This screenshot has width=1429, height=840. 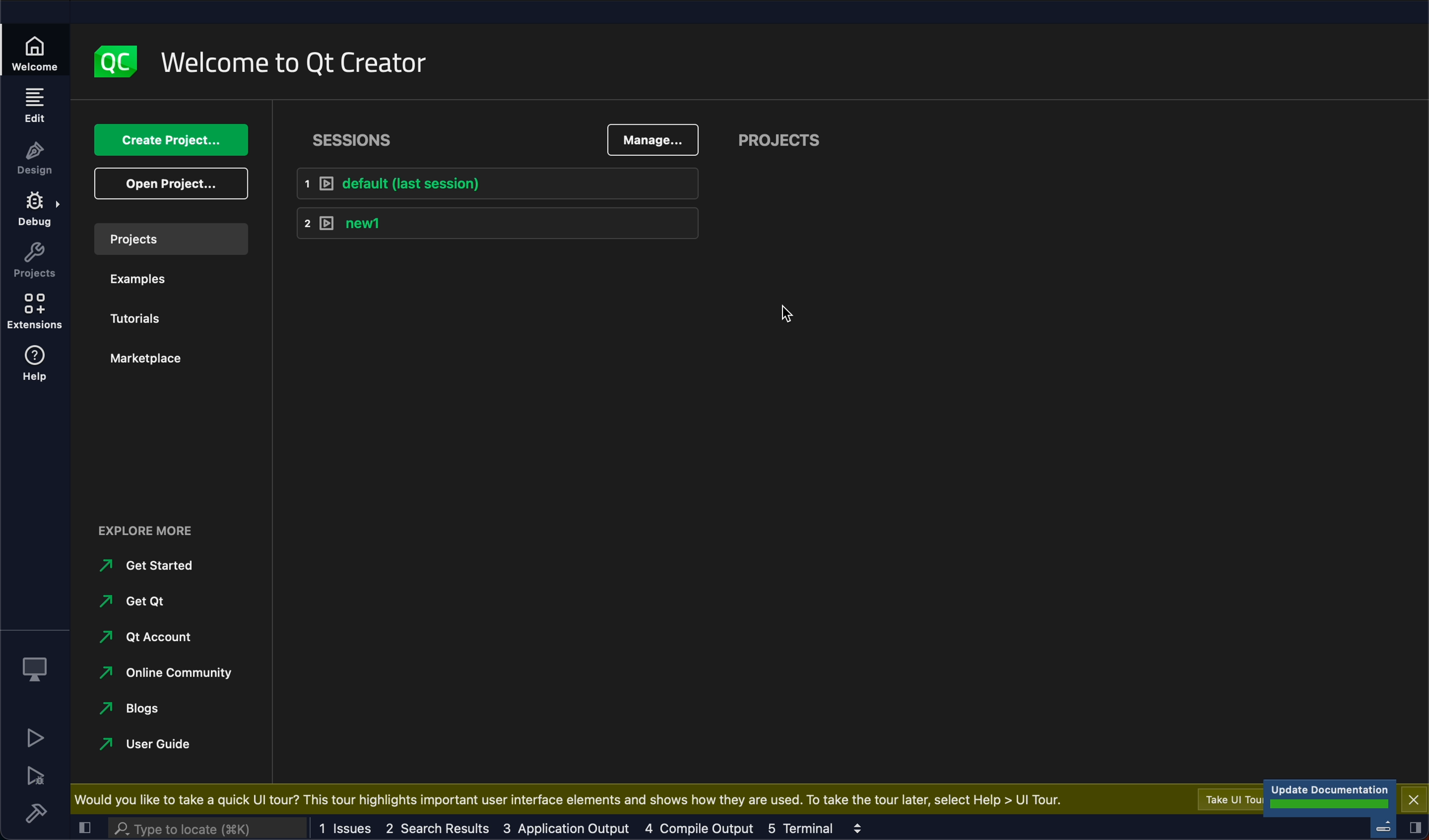 What do you see at coordinates (297, 64) in the screenshot?
I see `welcome` at bounding box center [297, 64].